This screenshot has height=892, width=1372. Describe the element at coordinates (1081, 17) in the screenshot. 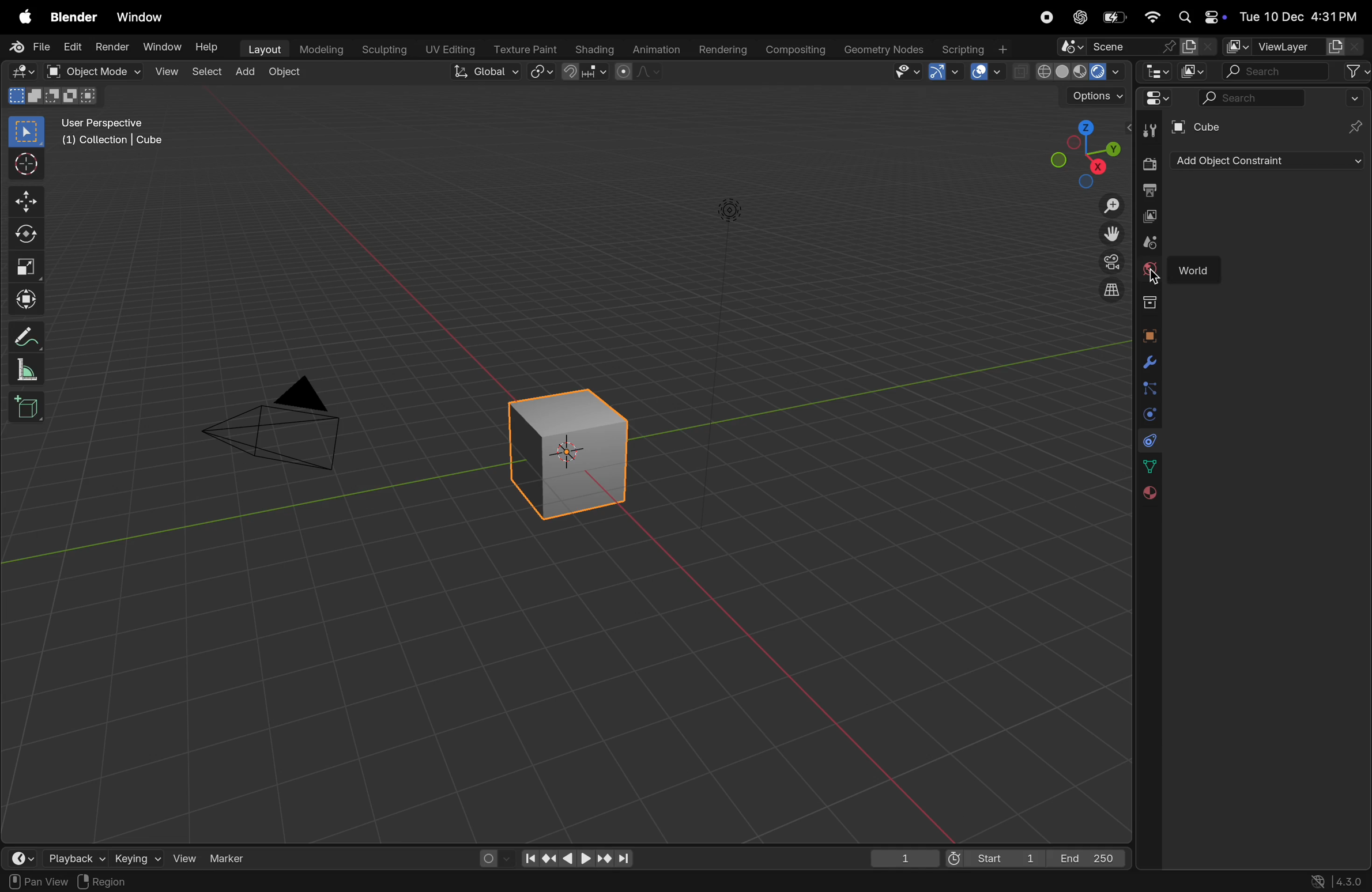

I see `chatgpt` at that location.